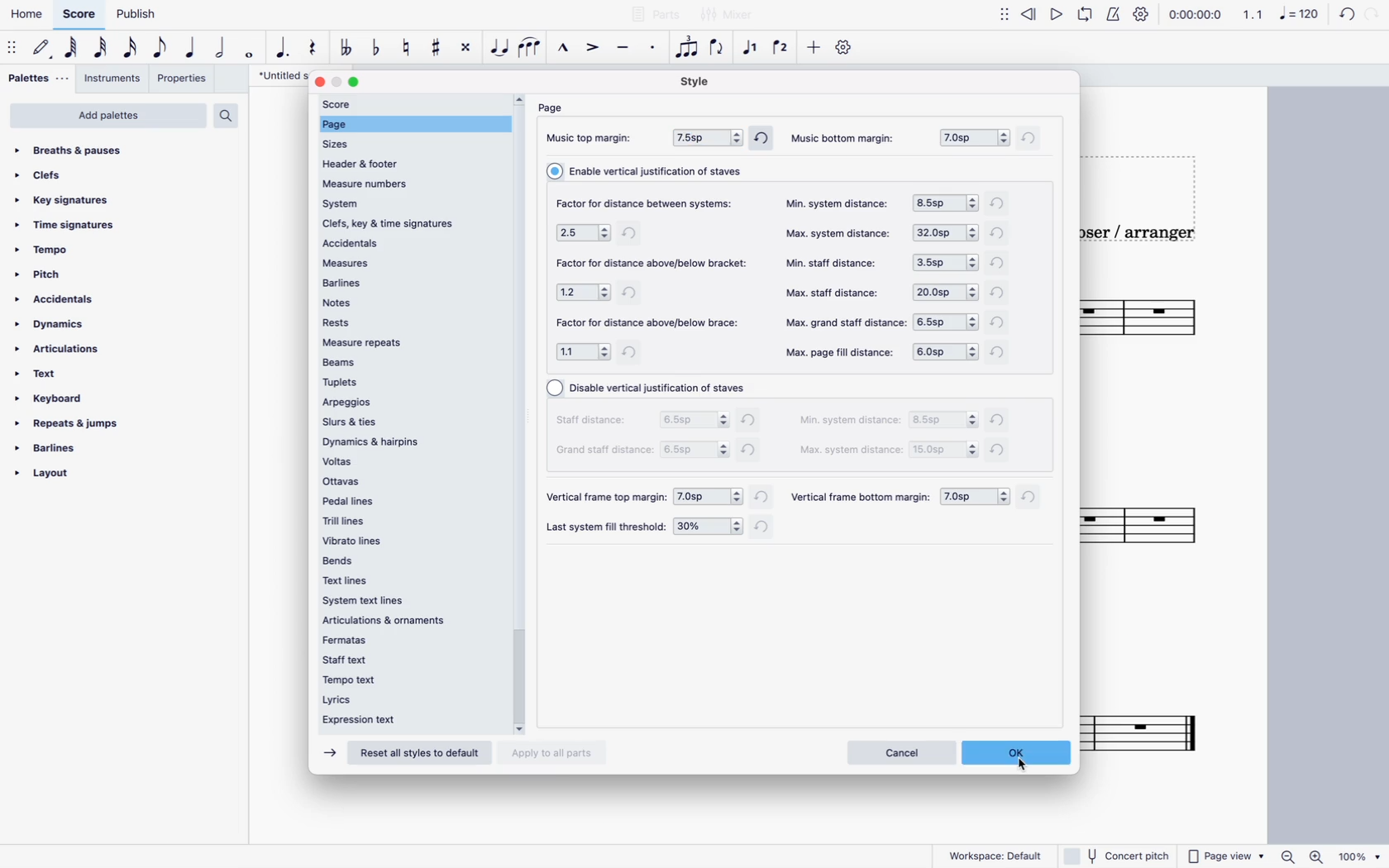 The image size is (1389, 868). I want to click on rest, so click(312, 49).